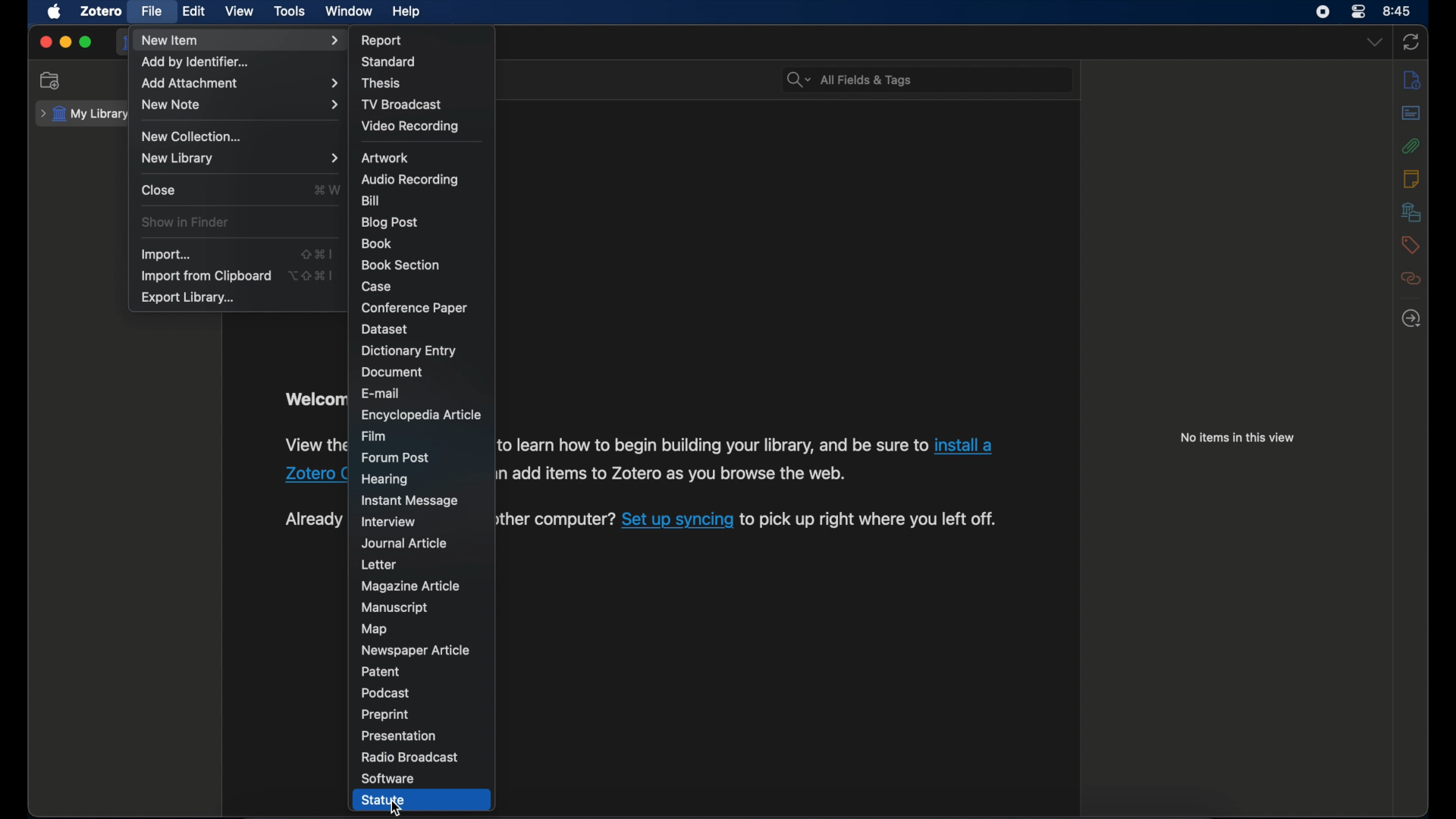  Describe the element at coordinates (1411, 319) in the screenshot. I see `locate` at that location.